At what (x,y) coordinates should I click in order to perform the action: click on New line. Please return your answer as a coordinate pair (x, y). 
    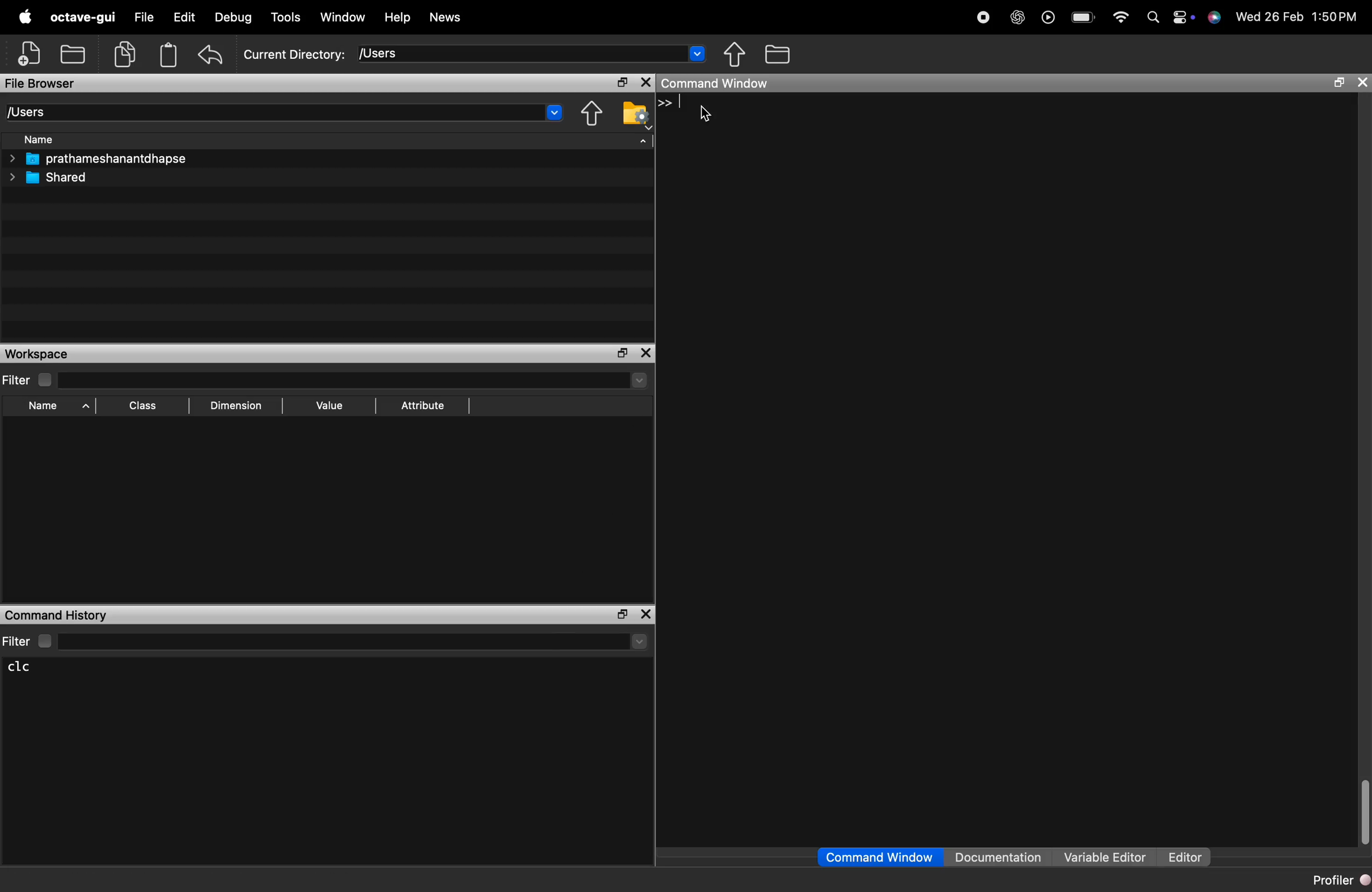
    Looking at the image, I should click on (663, 103).